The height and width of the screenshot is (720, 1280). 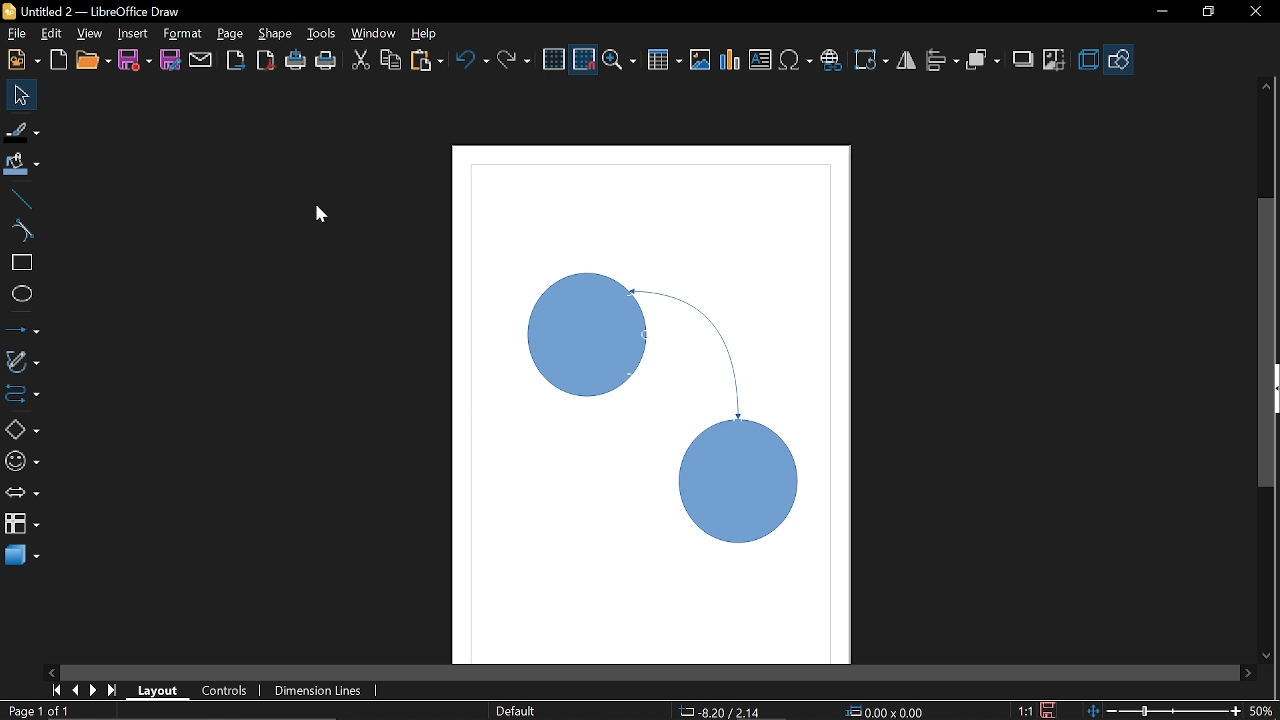 I want to click on Close, so click(x=1254, y=13).